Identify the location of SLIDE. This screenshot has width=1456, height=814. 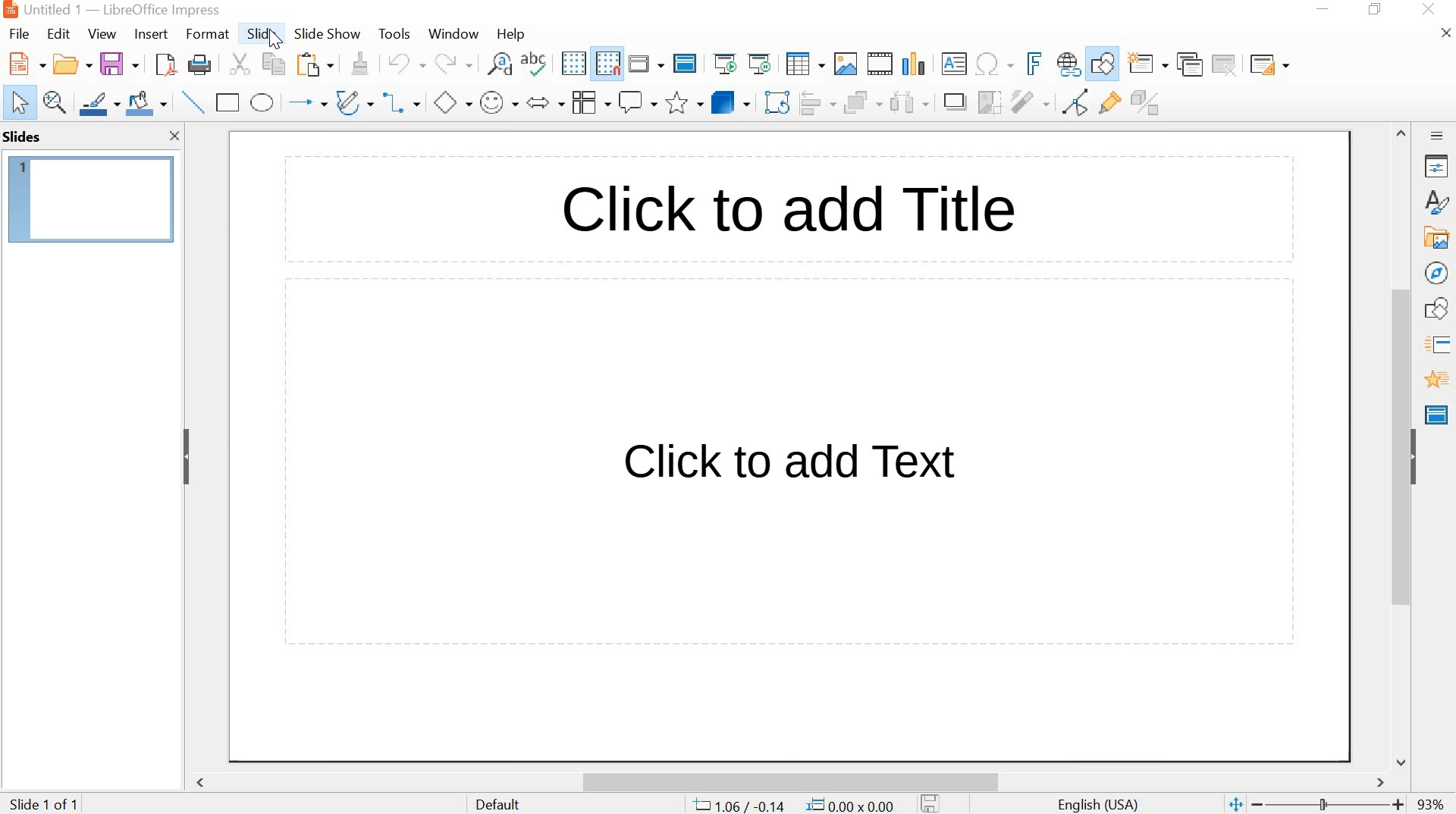
(260, 33).